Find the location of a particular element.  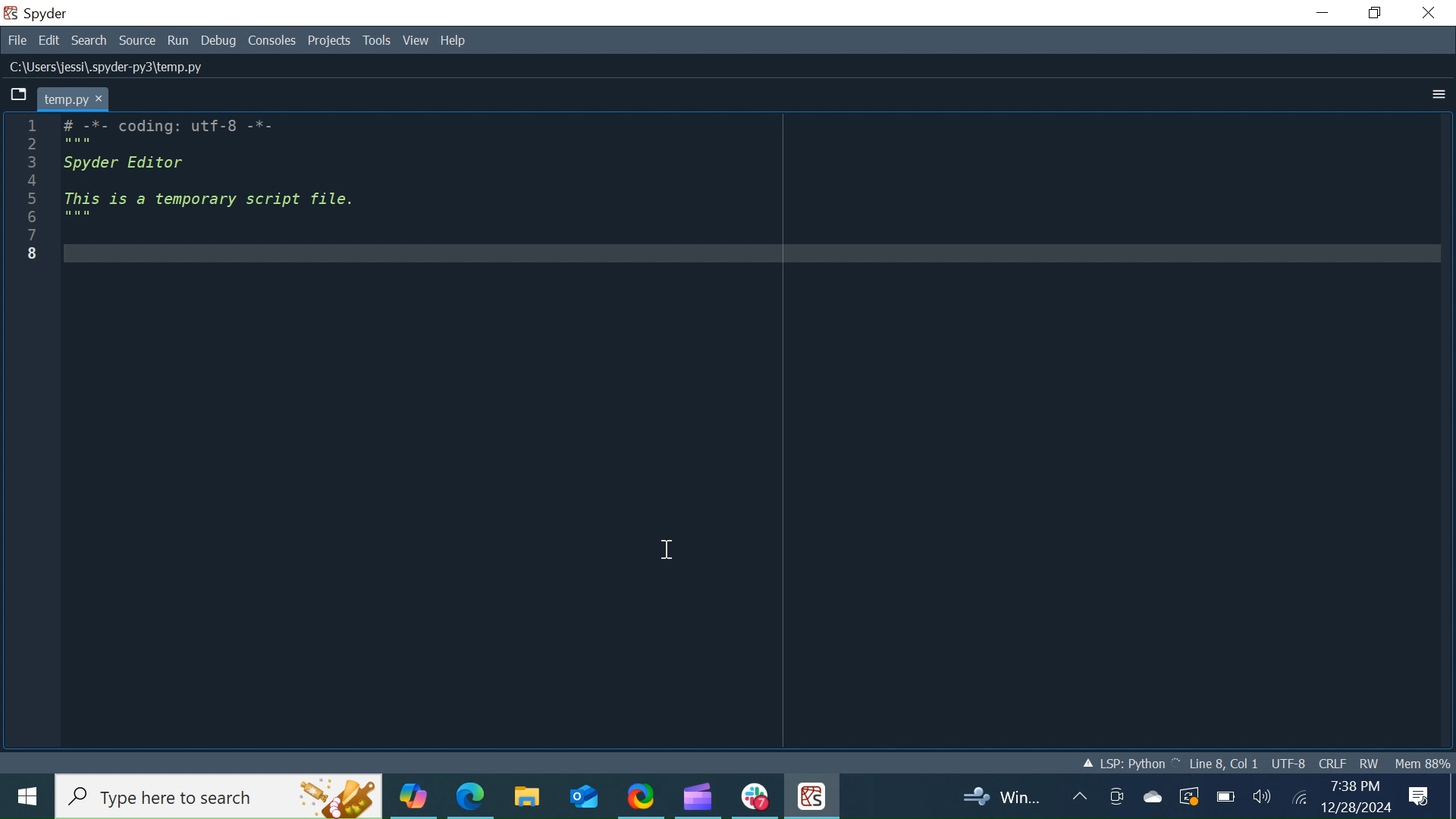

Cursor Position is located at coordinates (1225, 761).